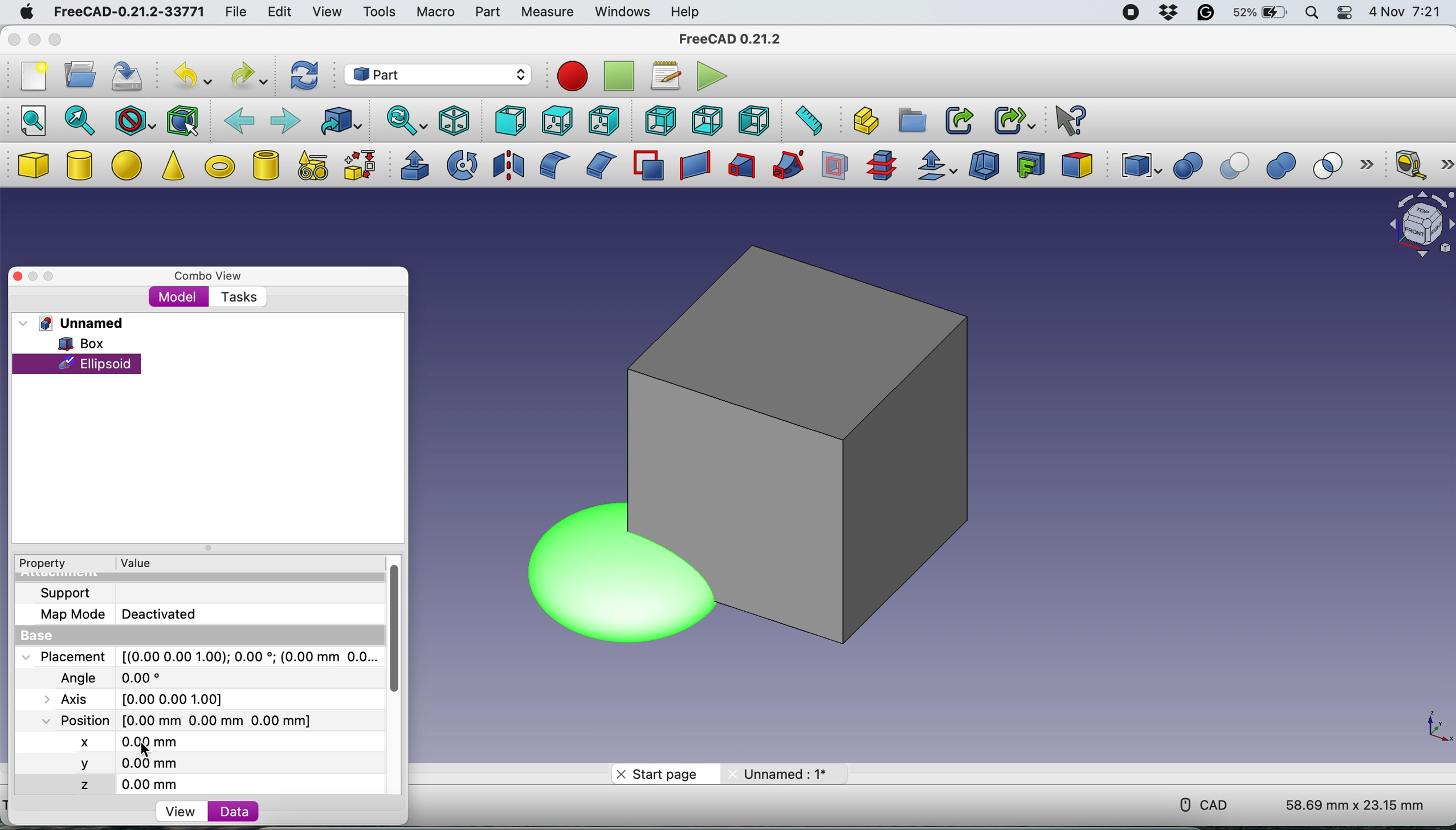 This screenshot has width=1456, height=830. I want to click on ellipsoide, so click(570, 574).